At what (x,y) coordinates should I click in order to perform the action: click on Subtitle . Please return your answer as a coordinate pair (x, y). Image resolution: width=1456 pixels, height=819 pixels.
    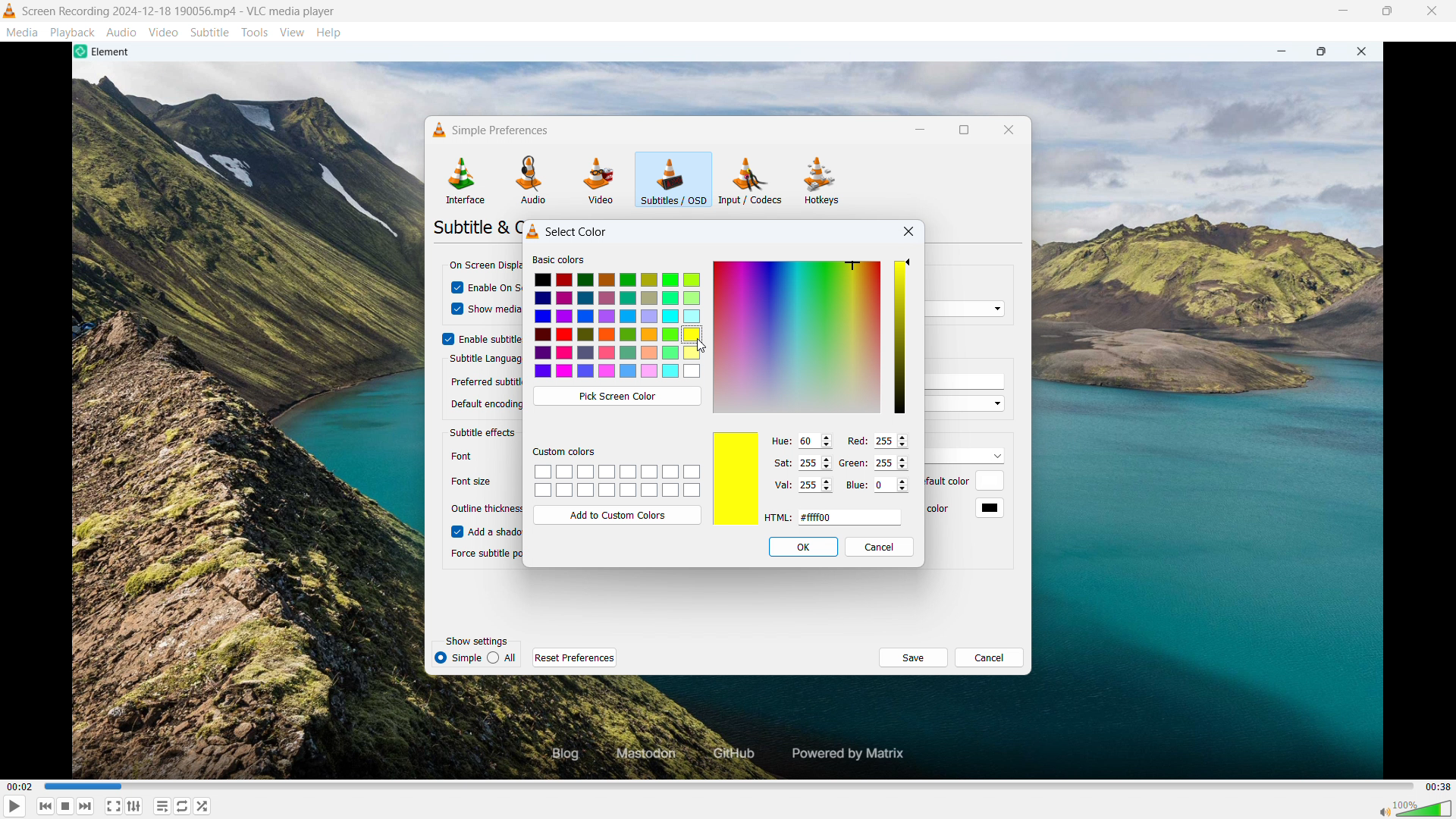
    Looking at the image, I should click on (210, 33).